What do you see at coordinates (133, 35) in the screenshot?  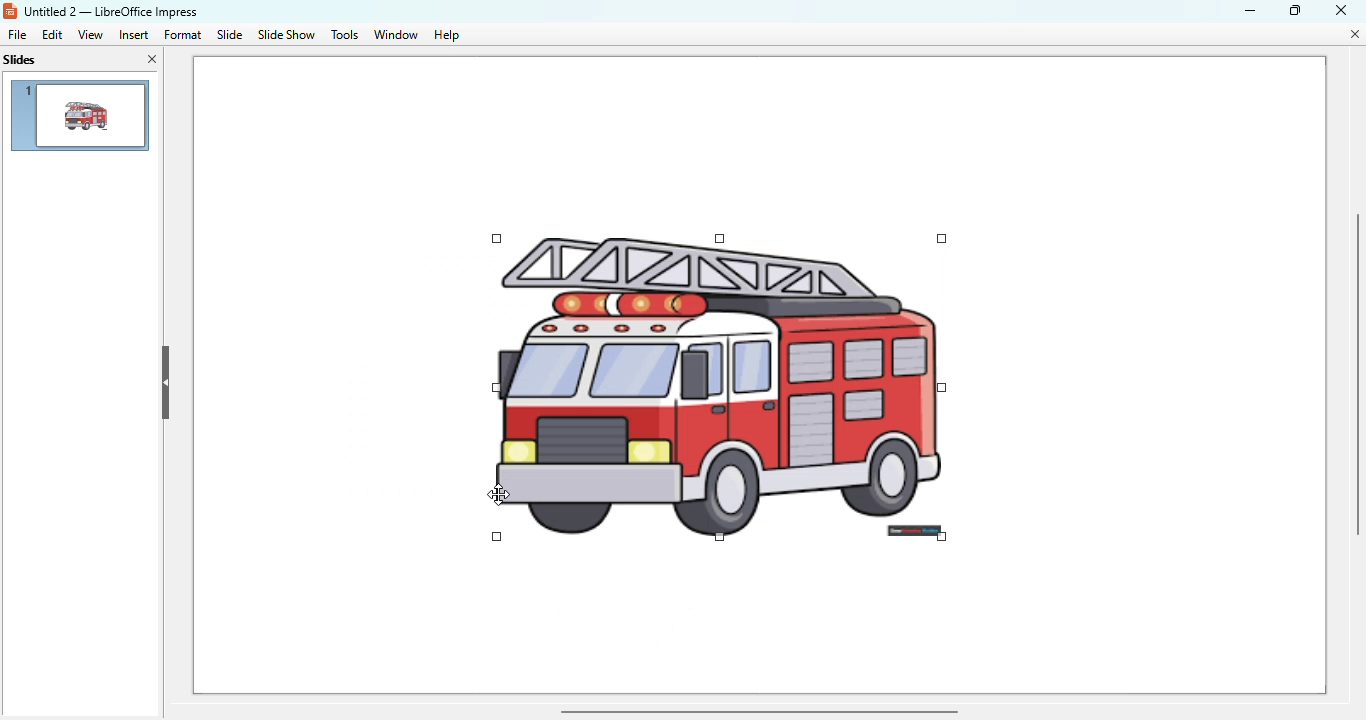 I see `insert` at bounding box center [133, 35].